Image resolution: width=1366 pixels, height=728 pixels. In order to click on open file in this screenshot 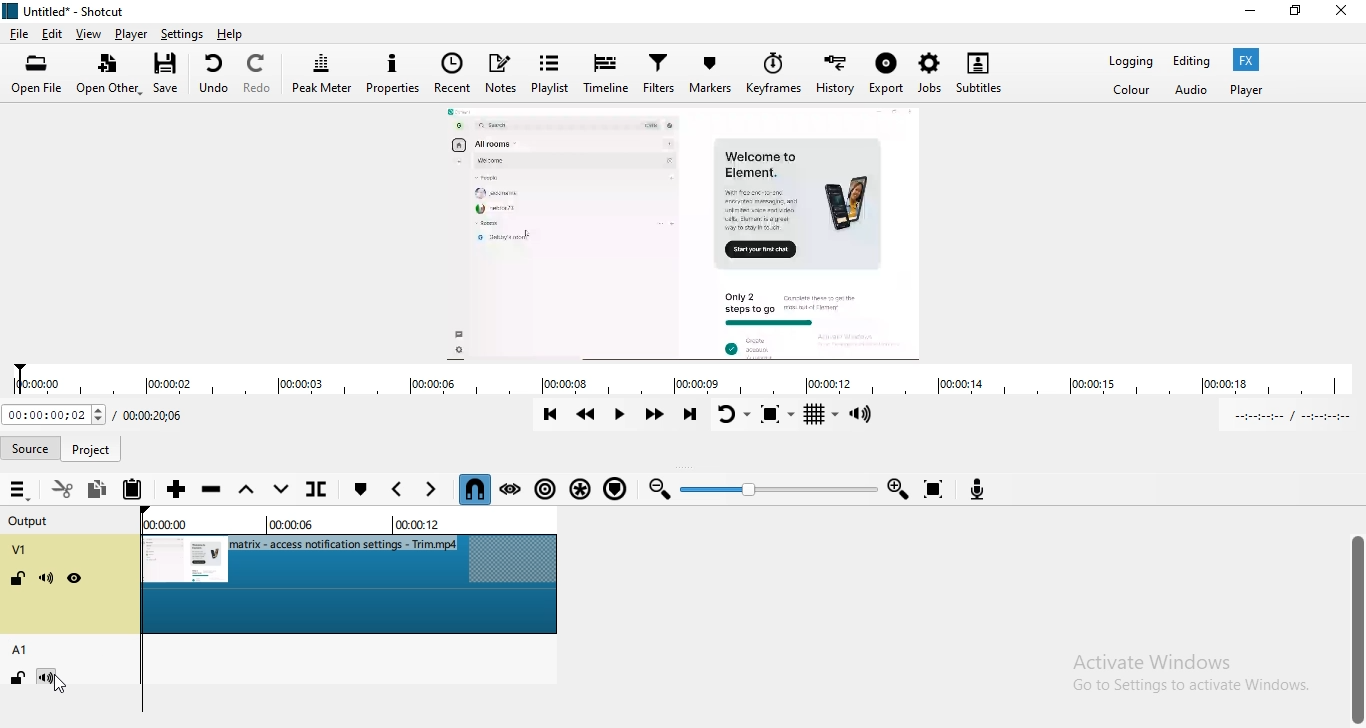, I will do `click(33, 75)`.